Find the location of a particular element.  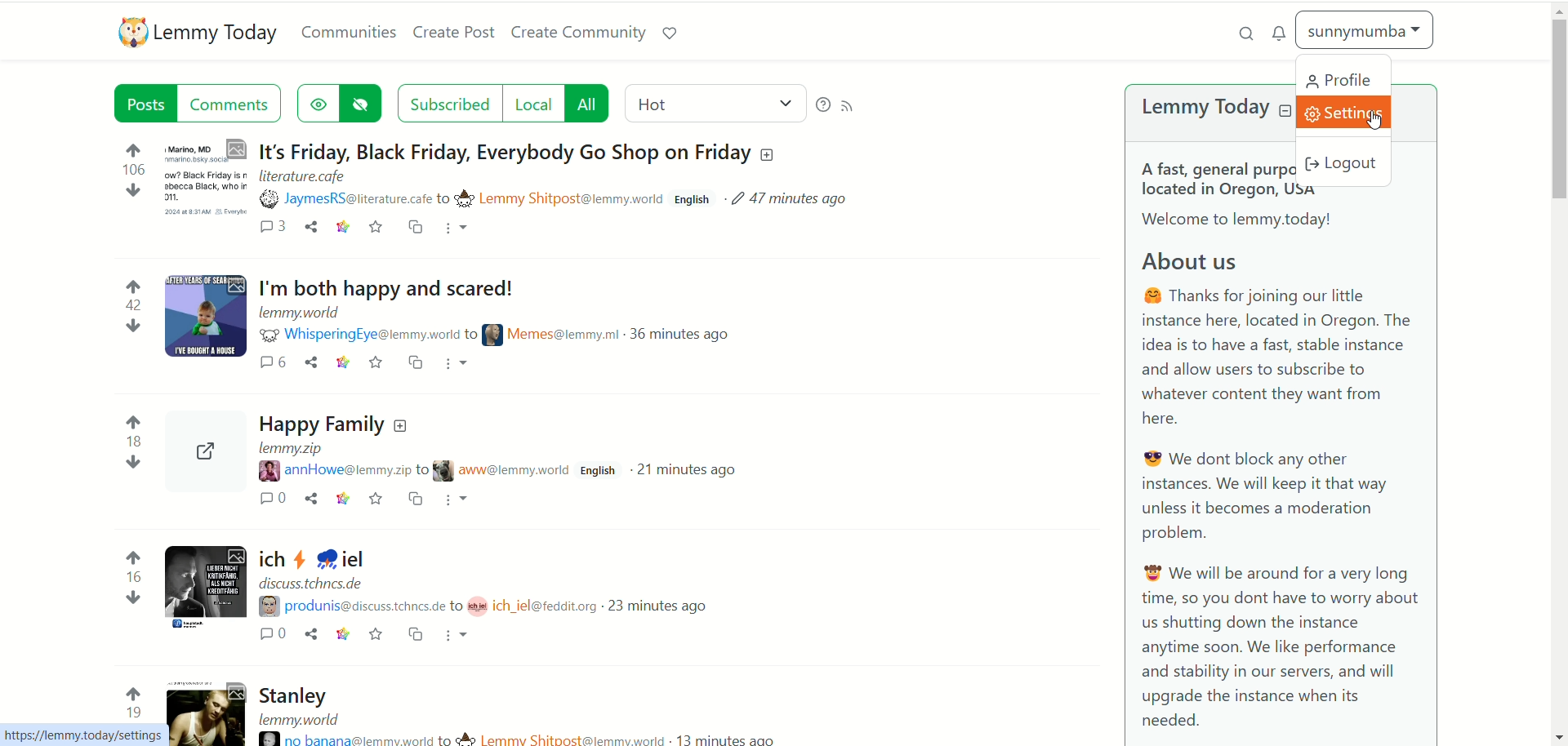

filtered hot is located at coordinates (712, 101).